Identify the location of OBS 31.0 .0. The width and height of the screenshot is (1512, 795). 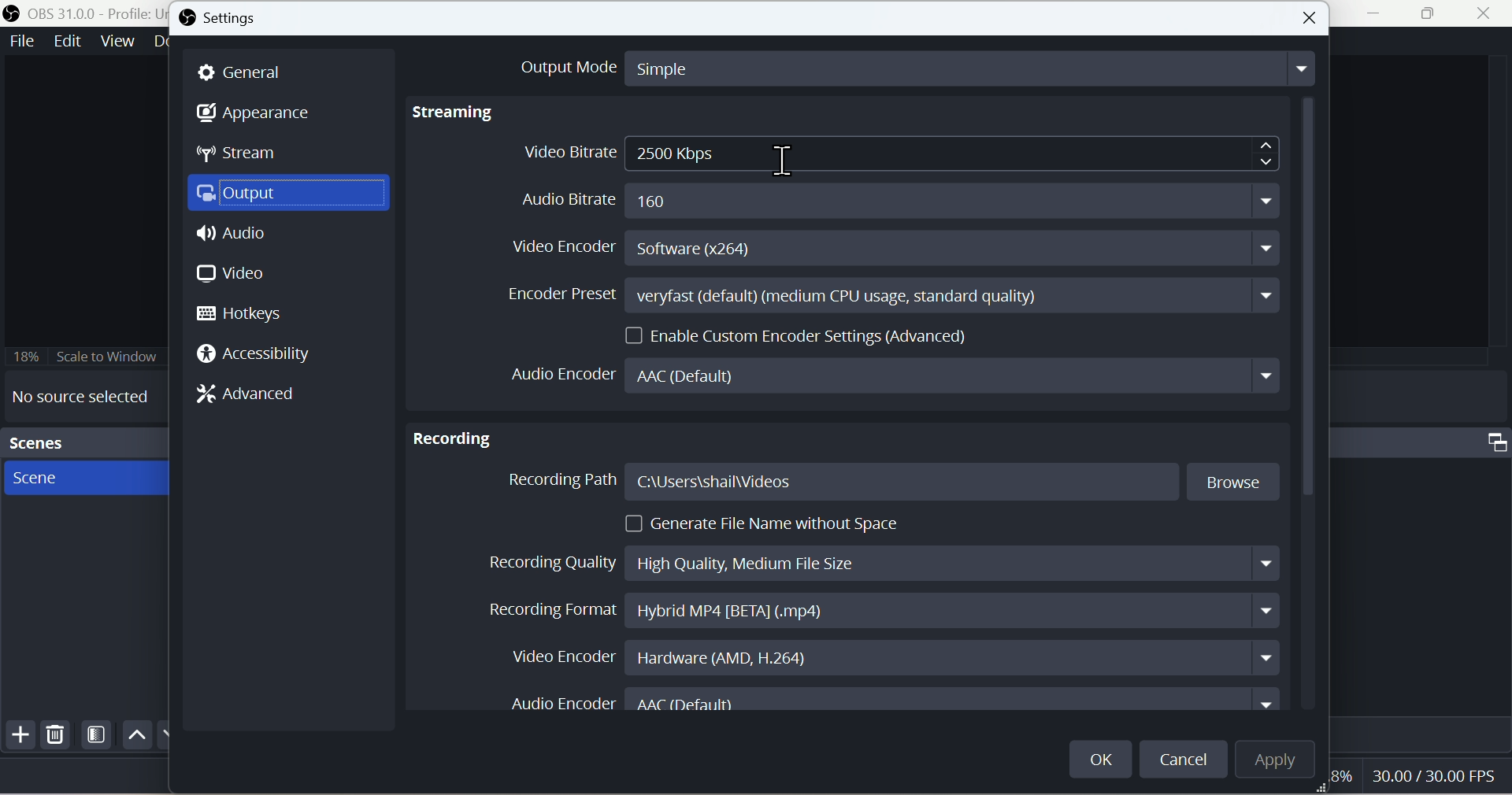
(82, 13).